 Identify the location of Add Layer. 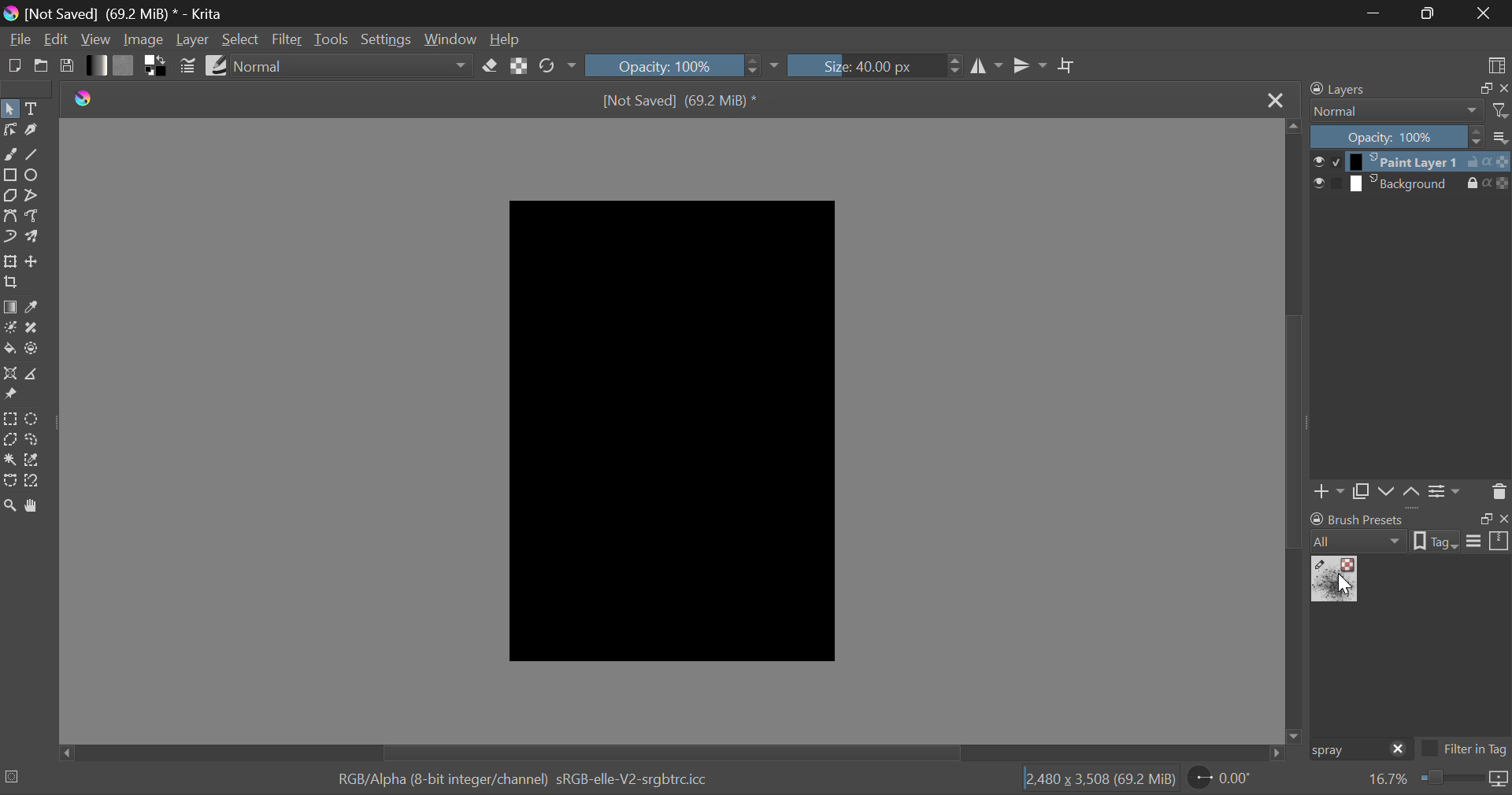
(1329, 494).